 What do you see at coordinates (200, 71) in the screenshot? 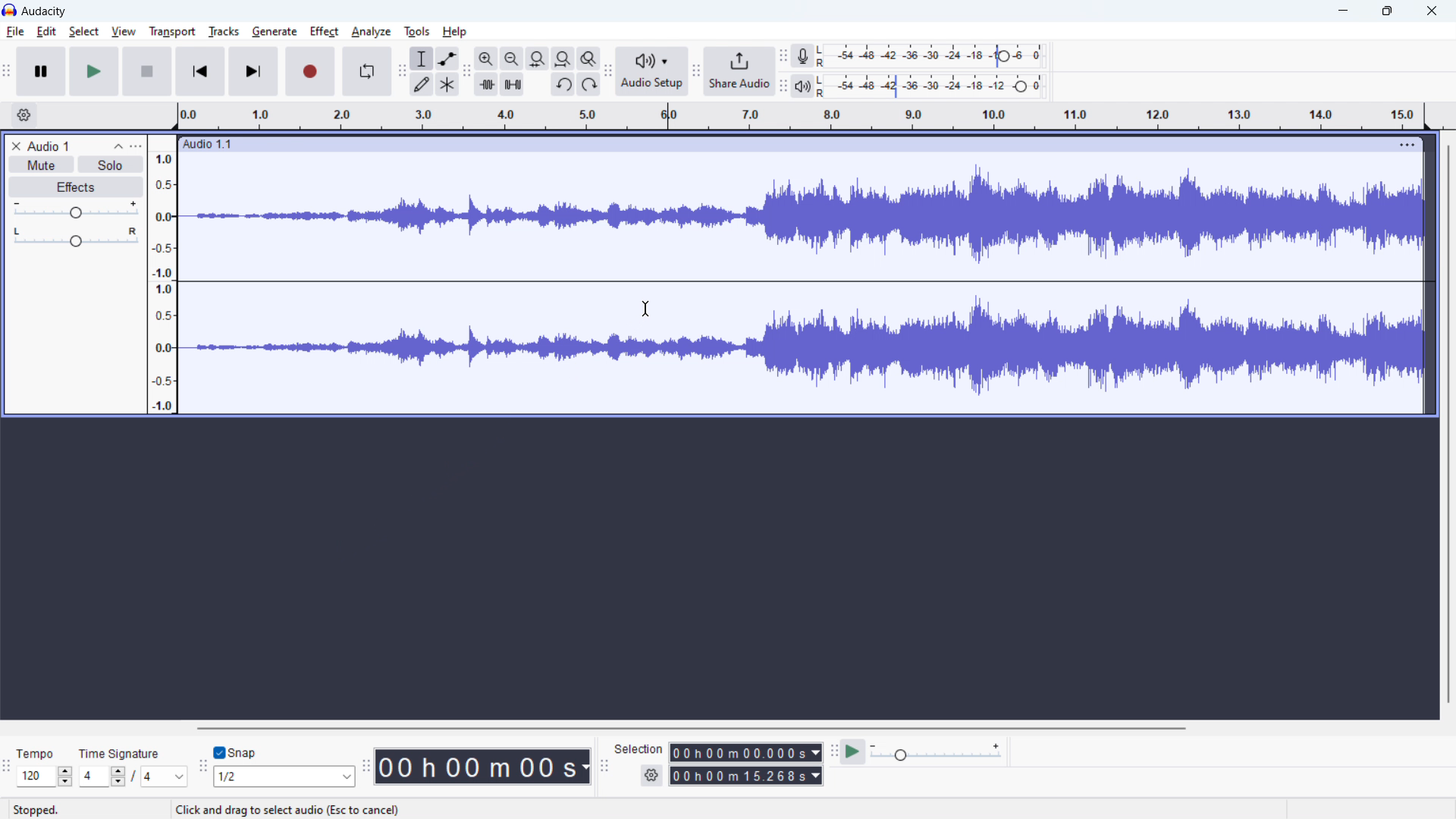
I see `skip to start` at bounding box center [200, 71].